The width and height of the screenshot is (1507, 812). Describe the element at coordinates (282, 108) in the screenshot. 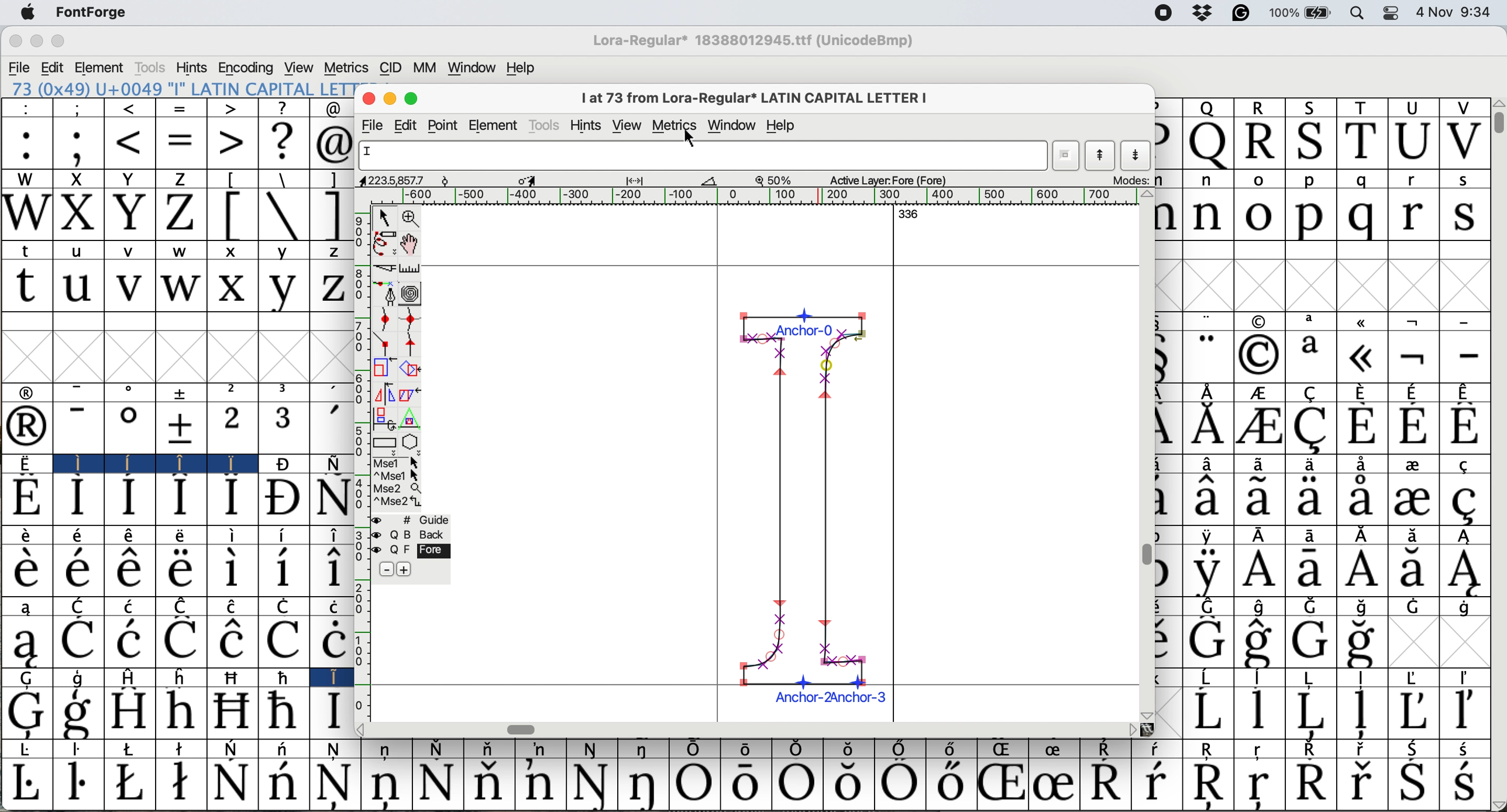

I see `?` at that location.